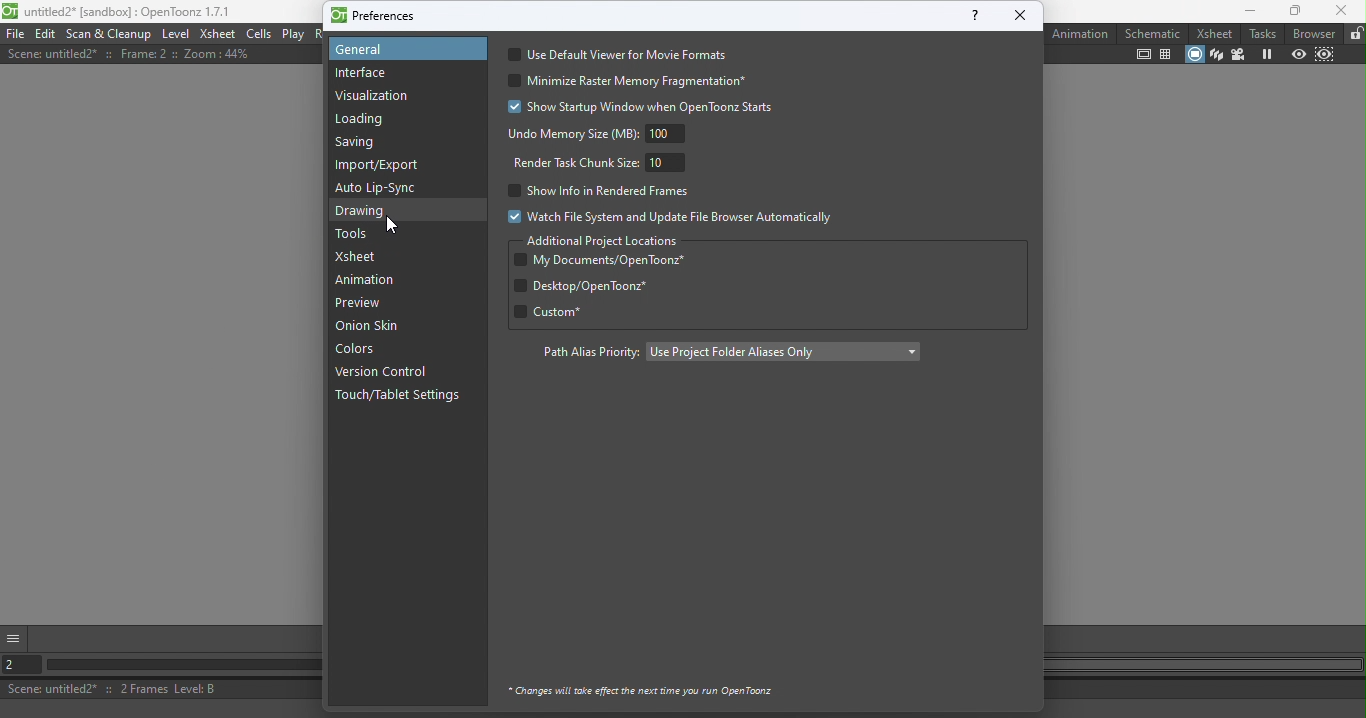  What do you see at coordinates (973, 15) in the screenshot?
I see `help` at bounding box center [973, 15].